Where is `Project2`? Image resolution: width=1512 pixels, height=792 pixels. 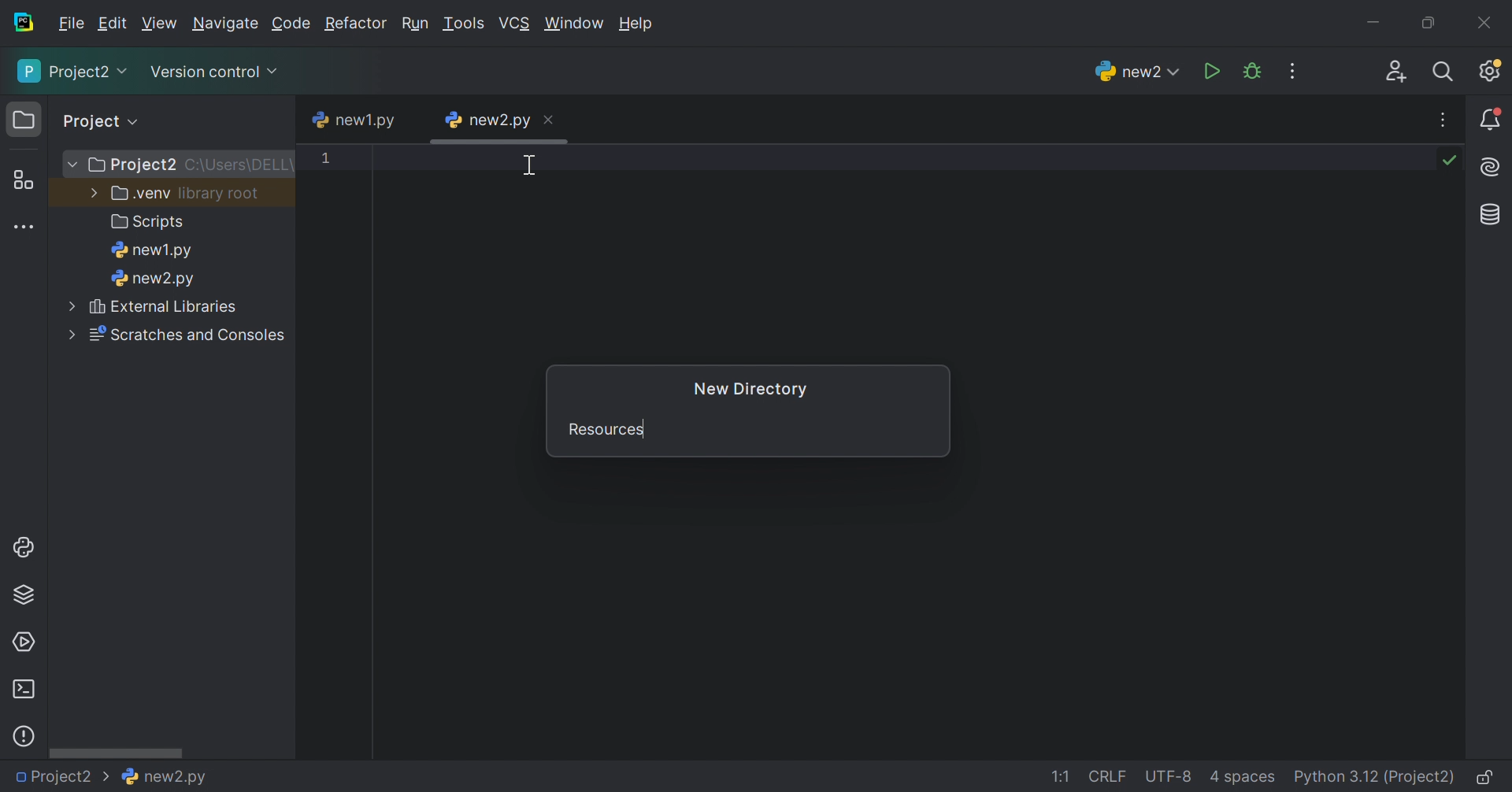 Project2 is located at coordinates (56, 777).